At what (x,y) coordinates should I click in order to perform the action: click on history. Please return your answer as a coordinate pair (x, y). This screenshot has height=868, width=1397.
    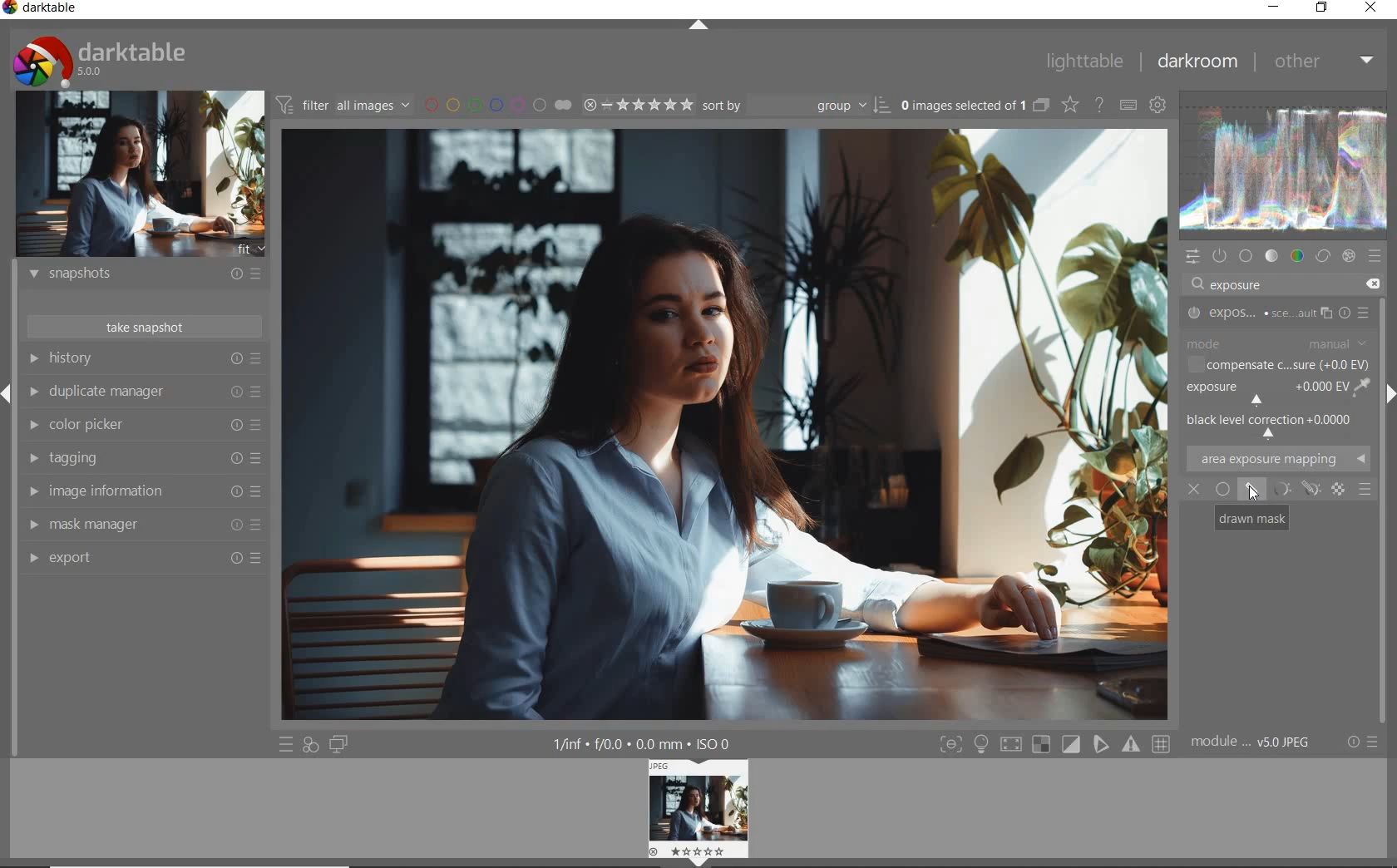
    Looking at the image, I should click on (142, 358).